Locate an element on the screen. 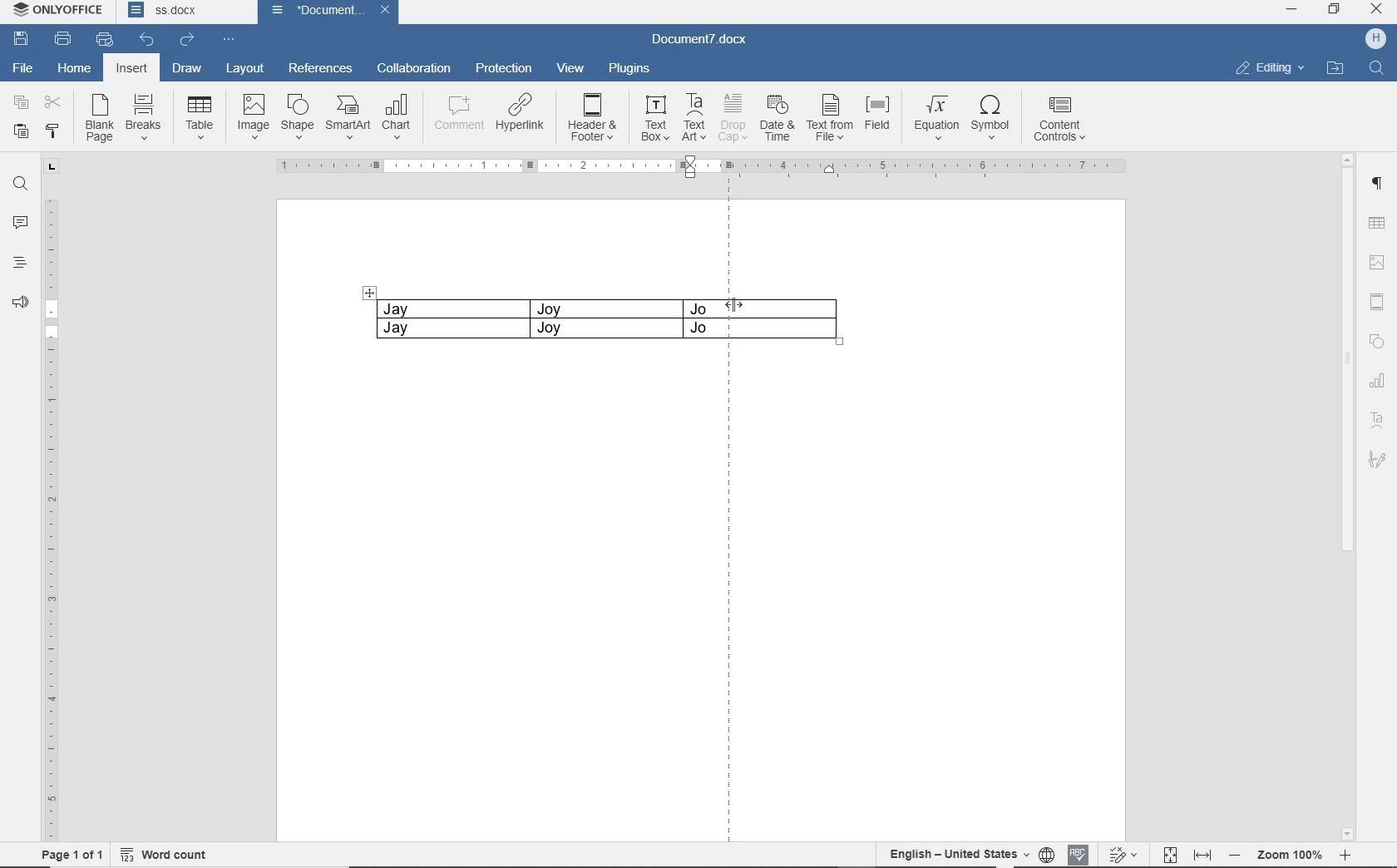  IMAGE is located at coordinates (252, 116).